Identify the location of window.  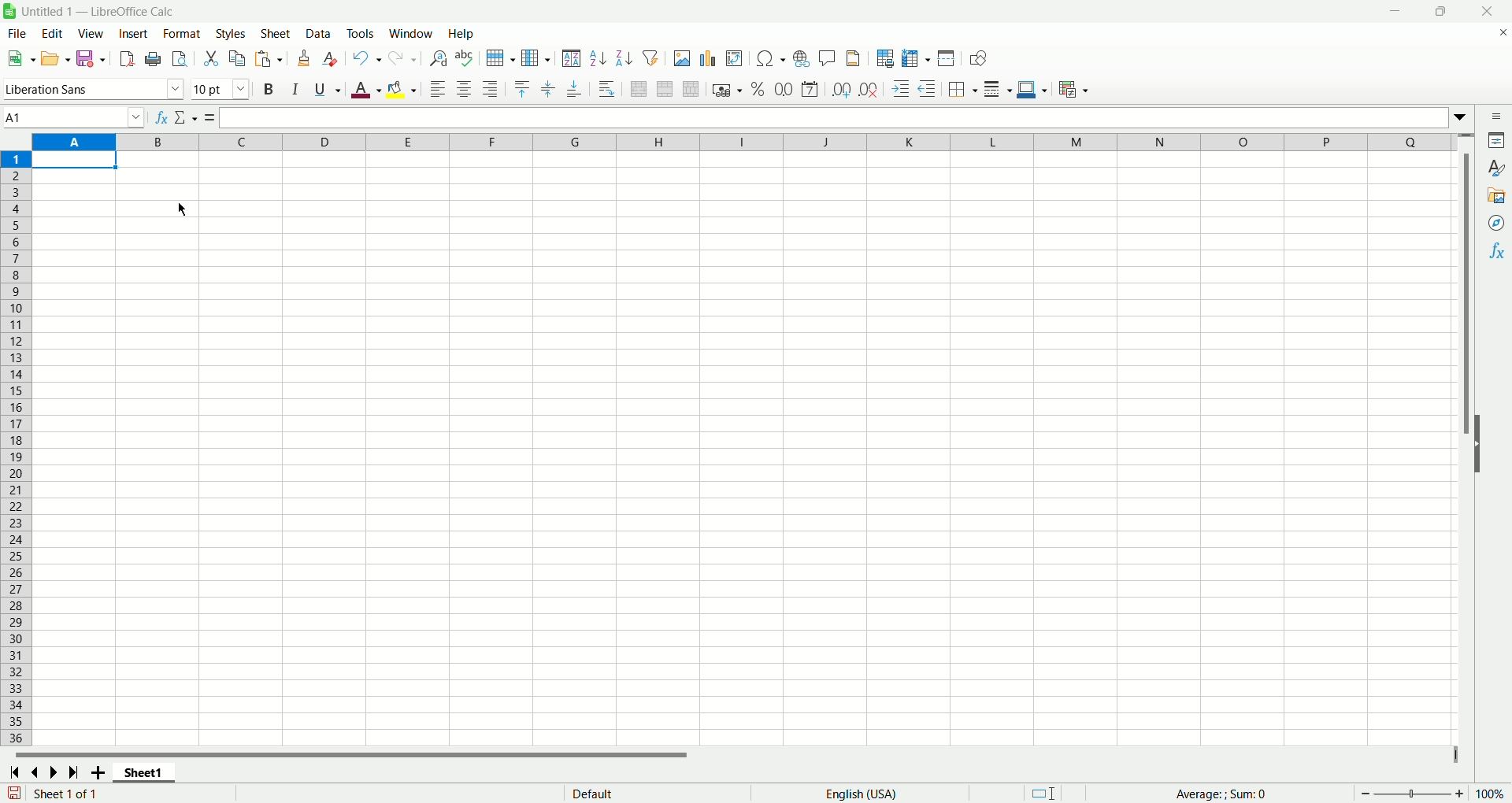
(412, 34).